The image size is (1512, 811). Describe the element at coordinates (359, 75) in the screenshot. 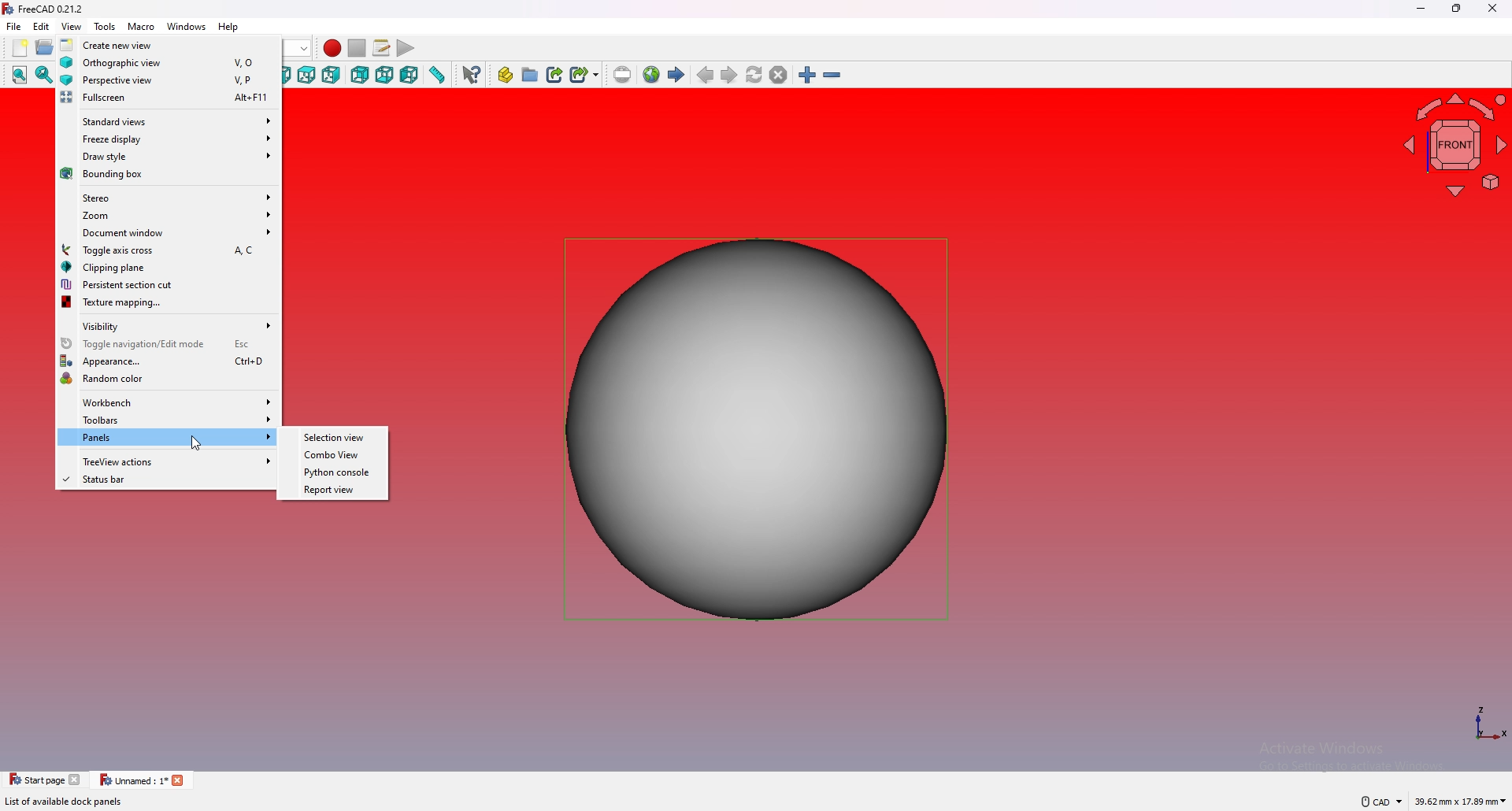

I see `rear` at that location.